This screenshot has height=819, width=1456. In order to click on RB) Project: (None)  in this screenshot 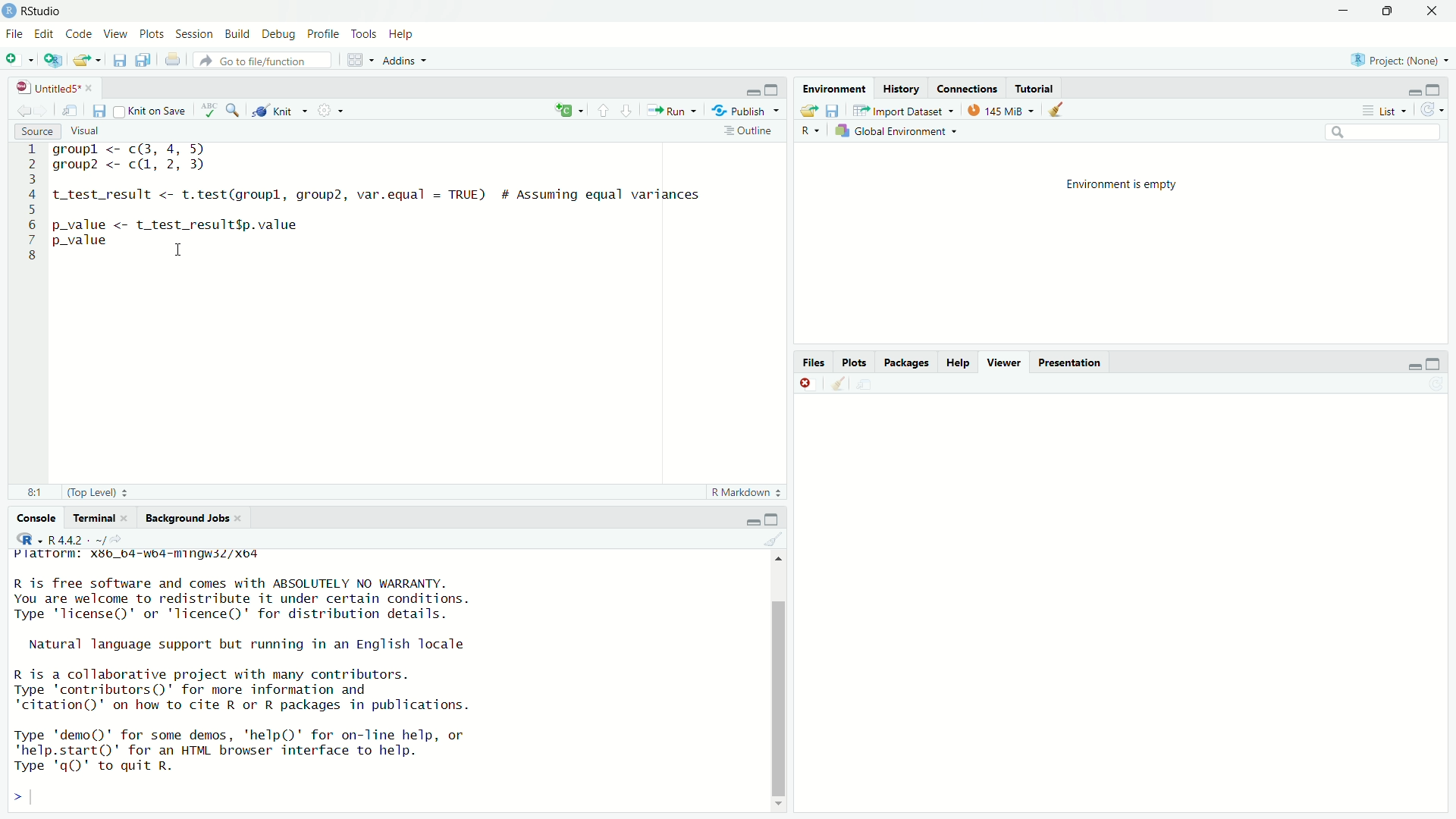, I will do `click(1394, 58)`.